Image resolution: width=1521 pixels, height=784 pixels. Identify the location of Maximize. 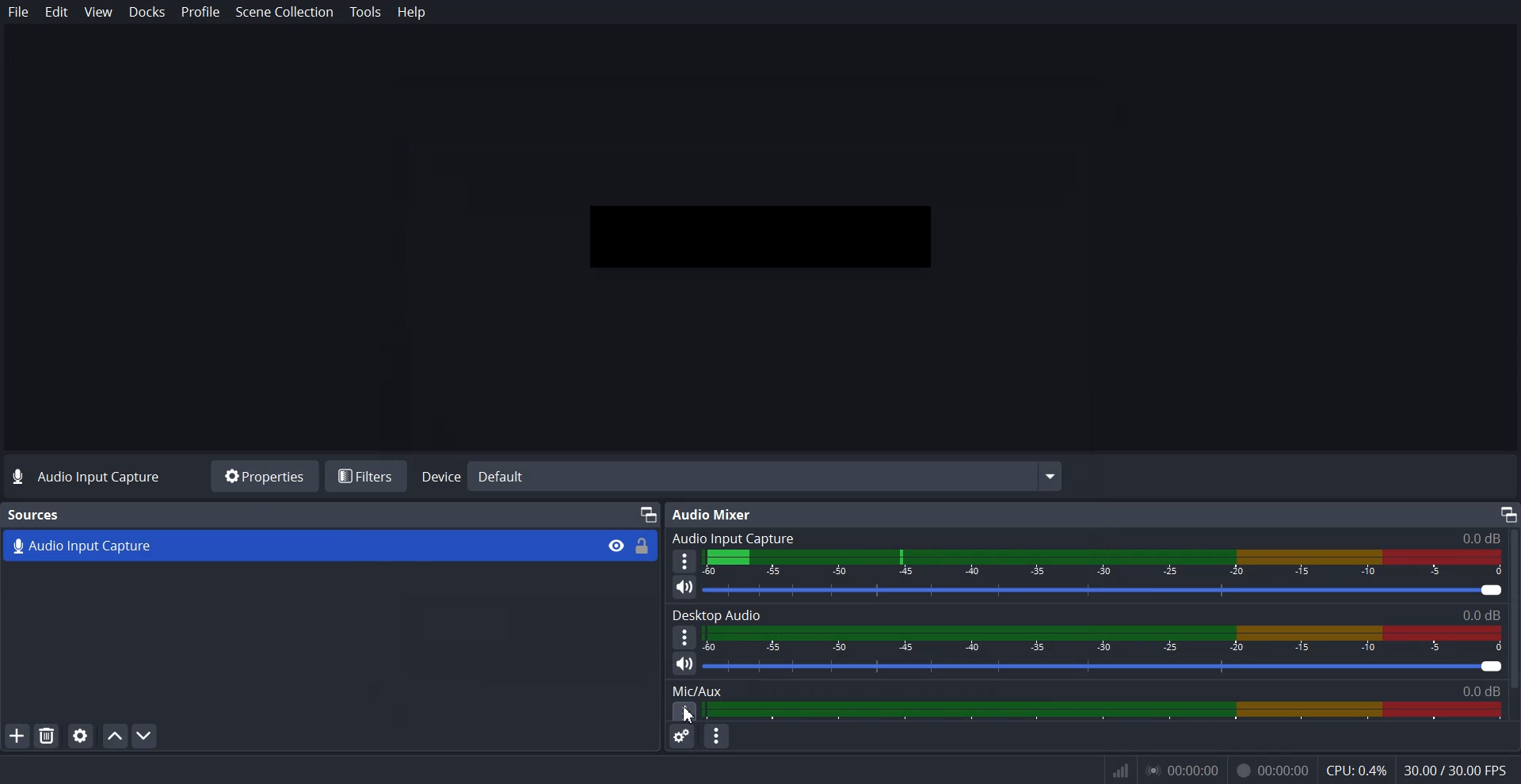
(1508, 514).